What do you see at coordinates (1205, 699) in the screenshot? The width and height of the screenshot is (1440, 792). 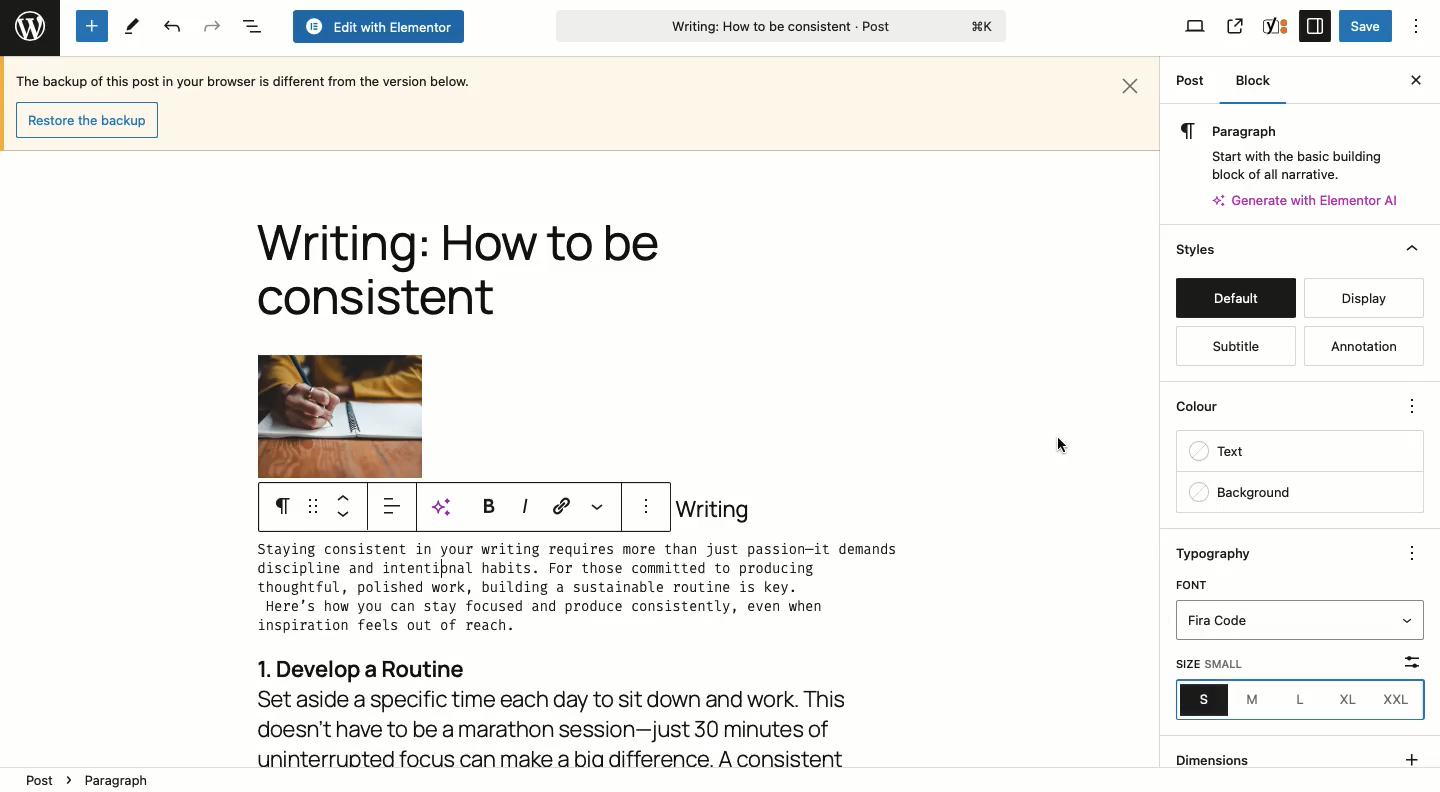 I see `Small selected` at bounding box center [1205, 699].